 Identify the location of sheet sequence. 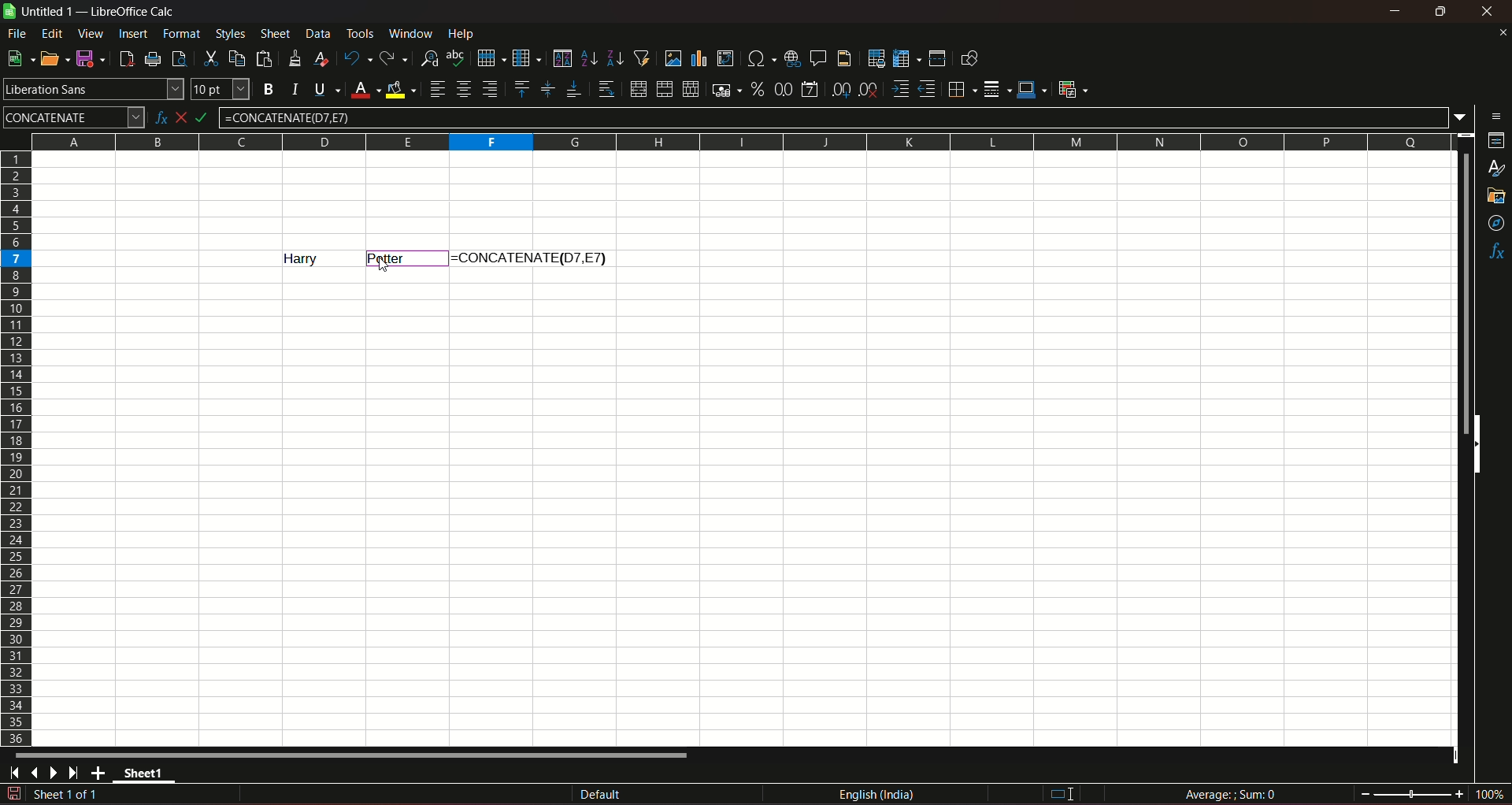
(67, 796).